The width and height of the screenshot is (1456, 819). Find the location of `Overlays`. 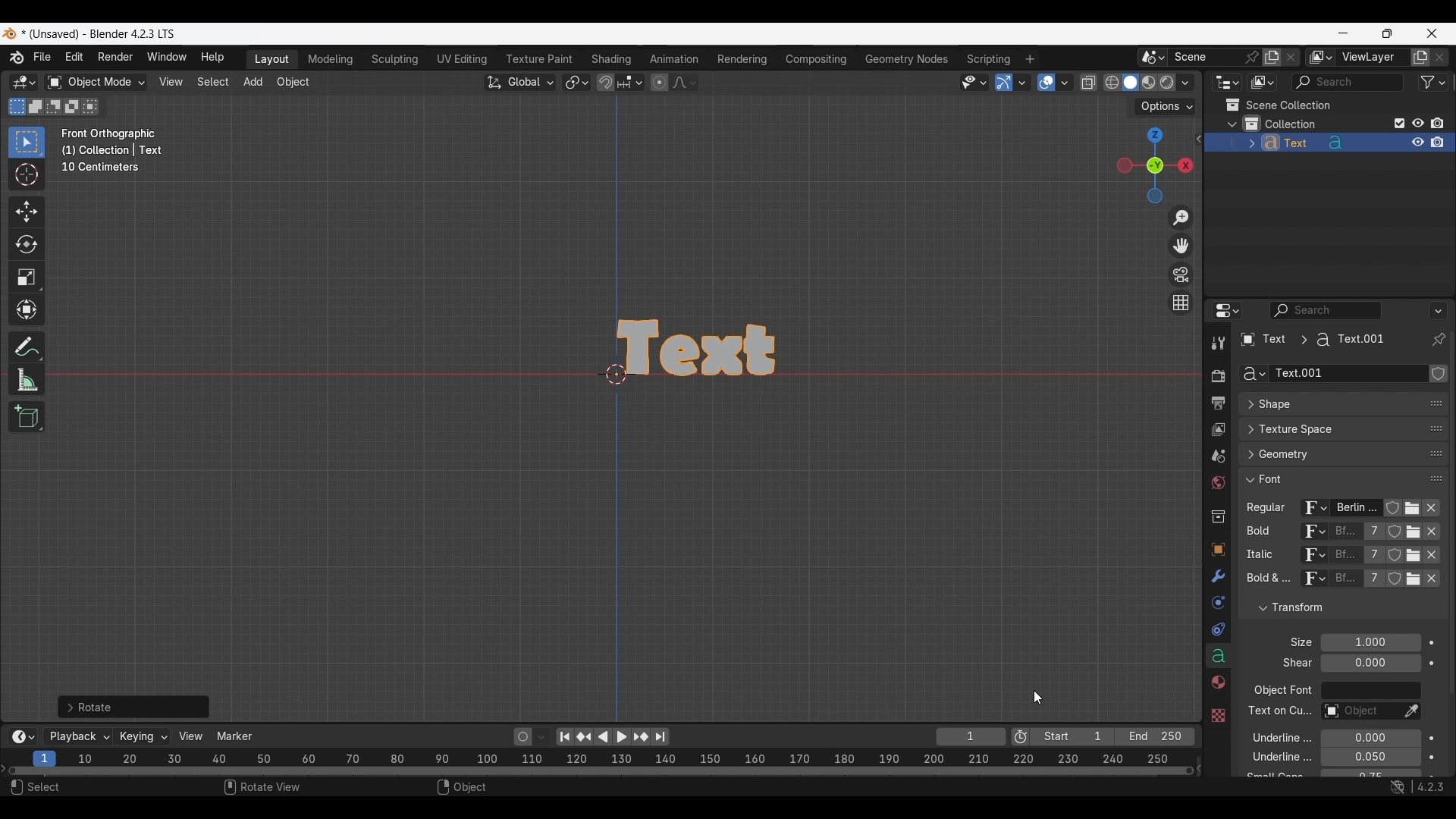

Overlays is located at coordinates (1064, 83).